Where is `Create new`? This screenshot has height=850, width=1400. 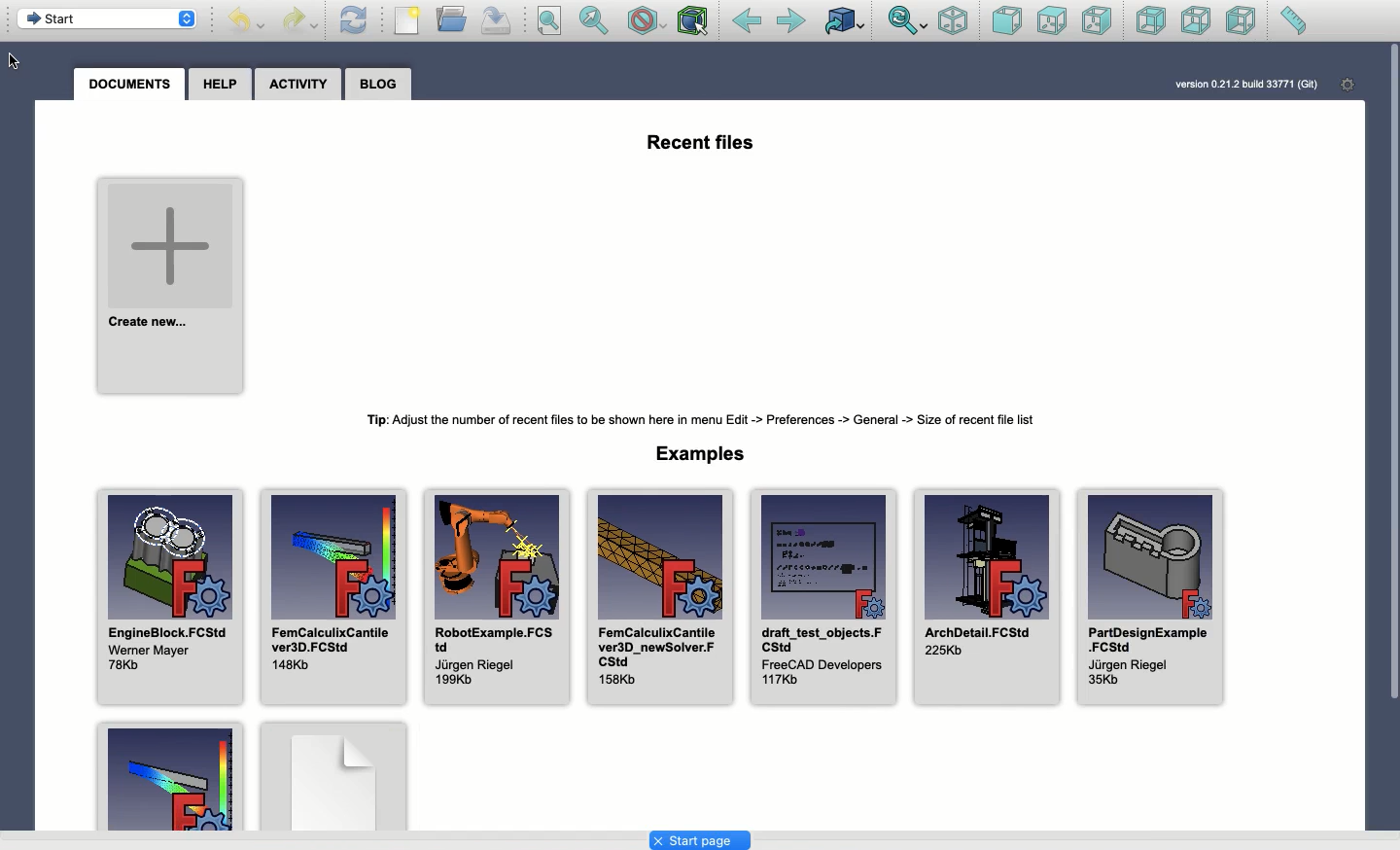
Create new is located at coordinates (171, 287).